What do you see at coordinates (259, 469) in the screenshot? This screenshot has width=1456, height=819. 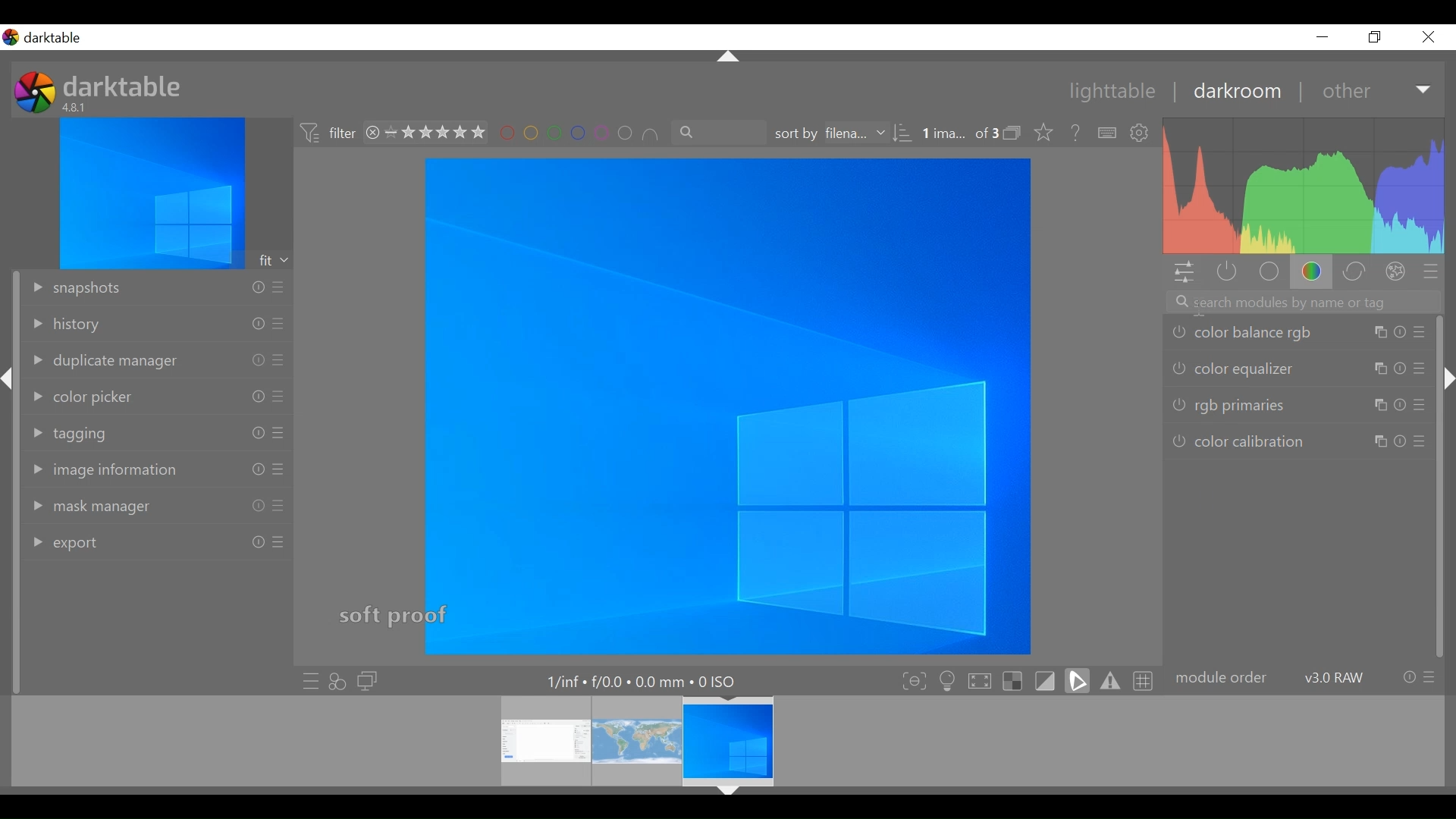 I see `info` at bounding box center [259, 469].